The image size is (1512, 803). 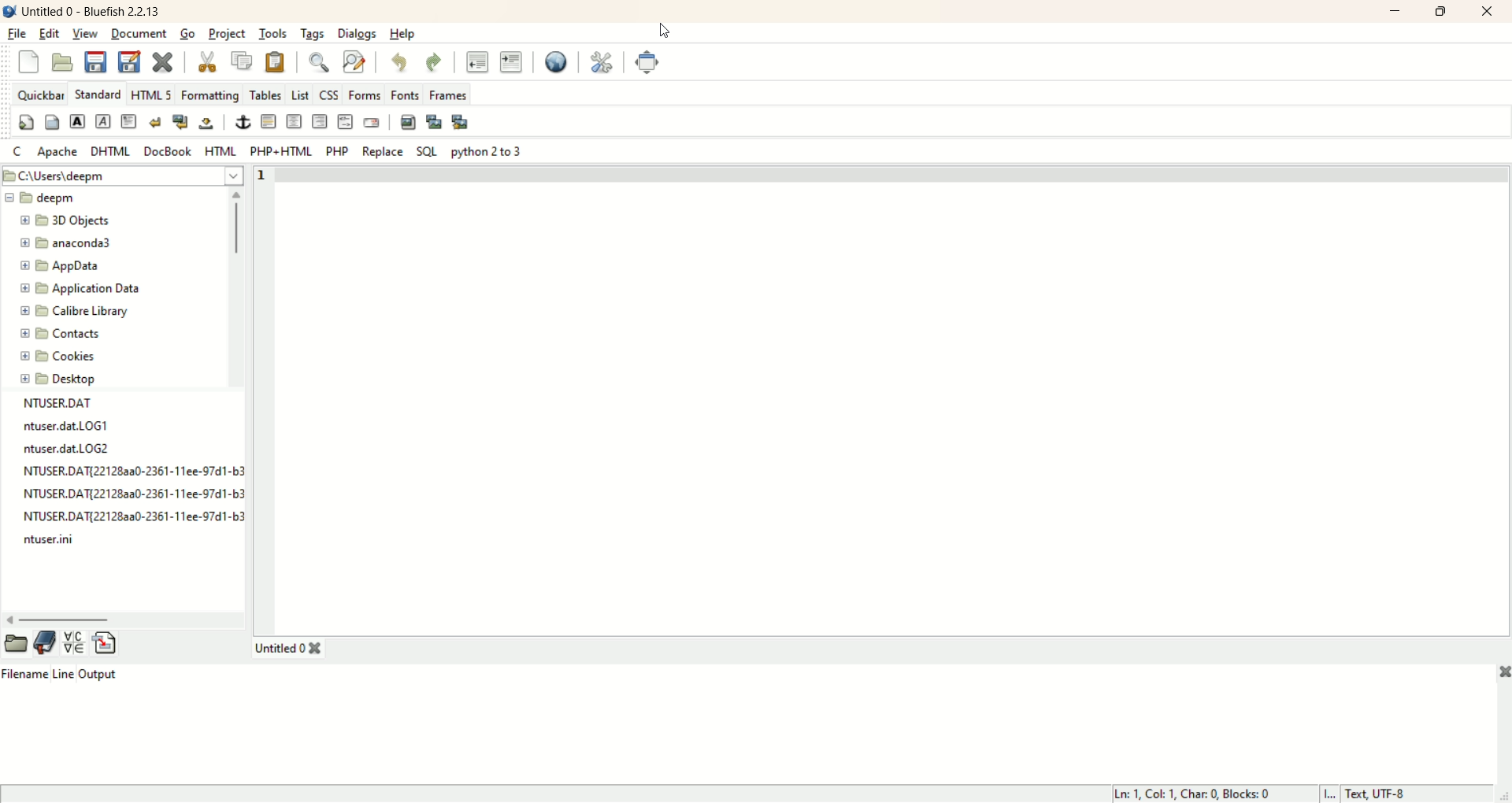 What do you see at coordinates (1416, 794) in the screenshot?
I see `text UTF-8` at bounding box center [1416, 794].